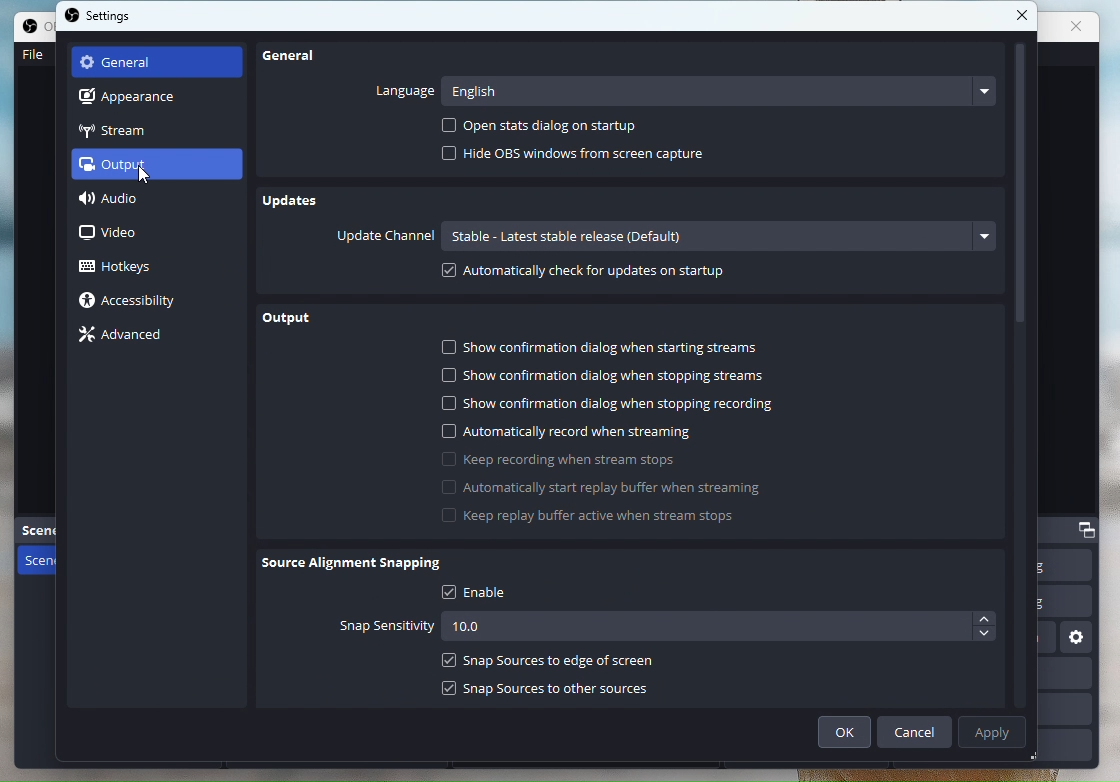 The image size is (1120, 782). I want to click on General, so click(142, 63).